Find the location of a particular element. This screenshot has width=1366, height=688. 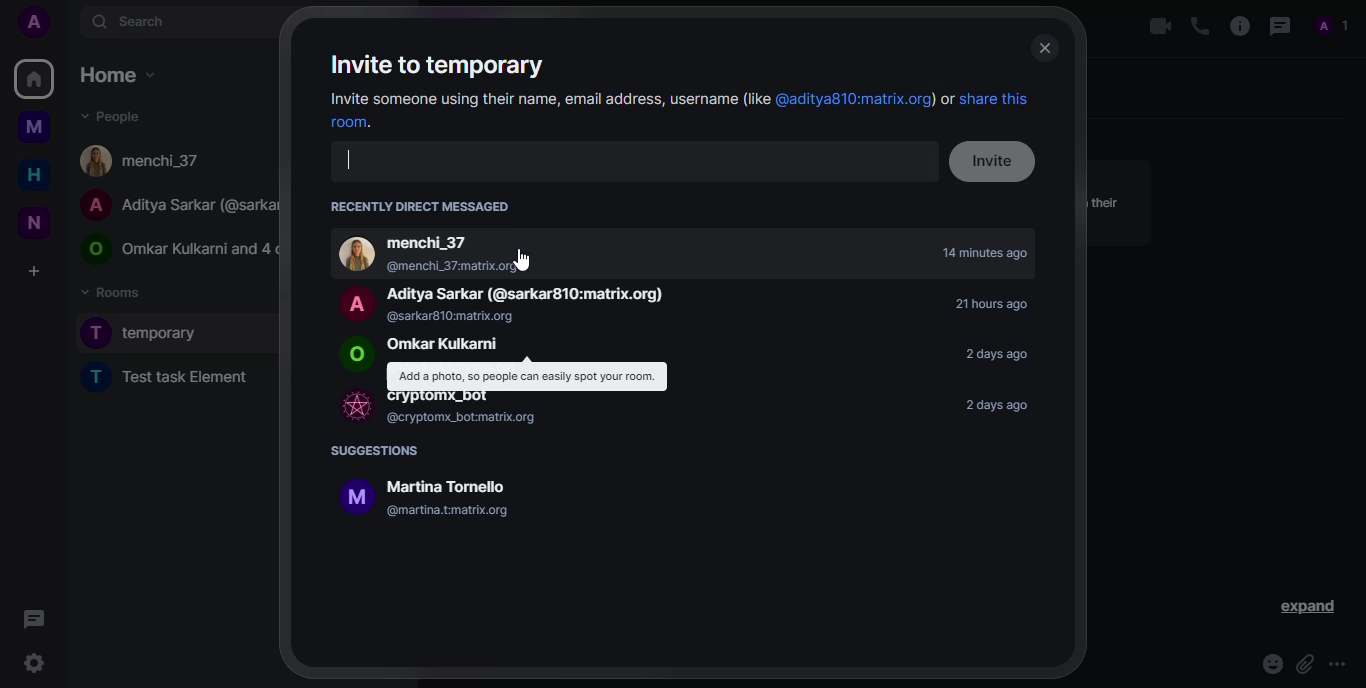

people is located at coordinates (110, 115).